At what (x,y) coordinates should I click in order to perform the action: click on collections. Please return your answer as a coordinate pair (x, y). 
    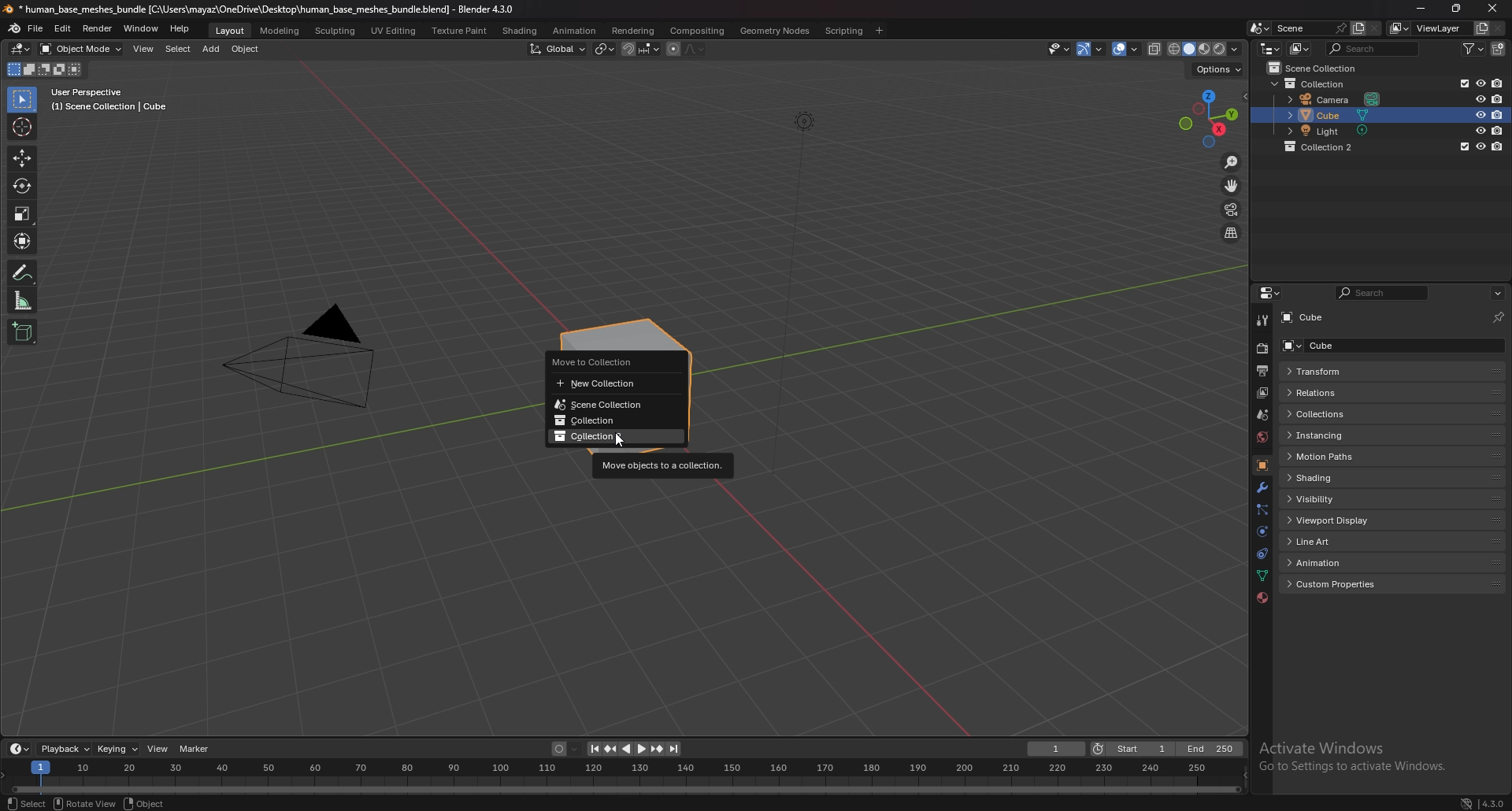
    Looking at the image, I should click on (1340, 414).